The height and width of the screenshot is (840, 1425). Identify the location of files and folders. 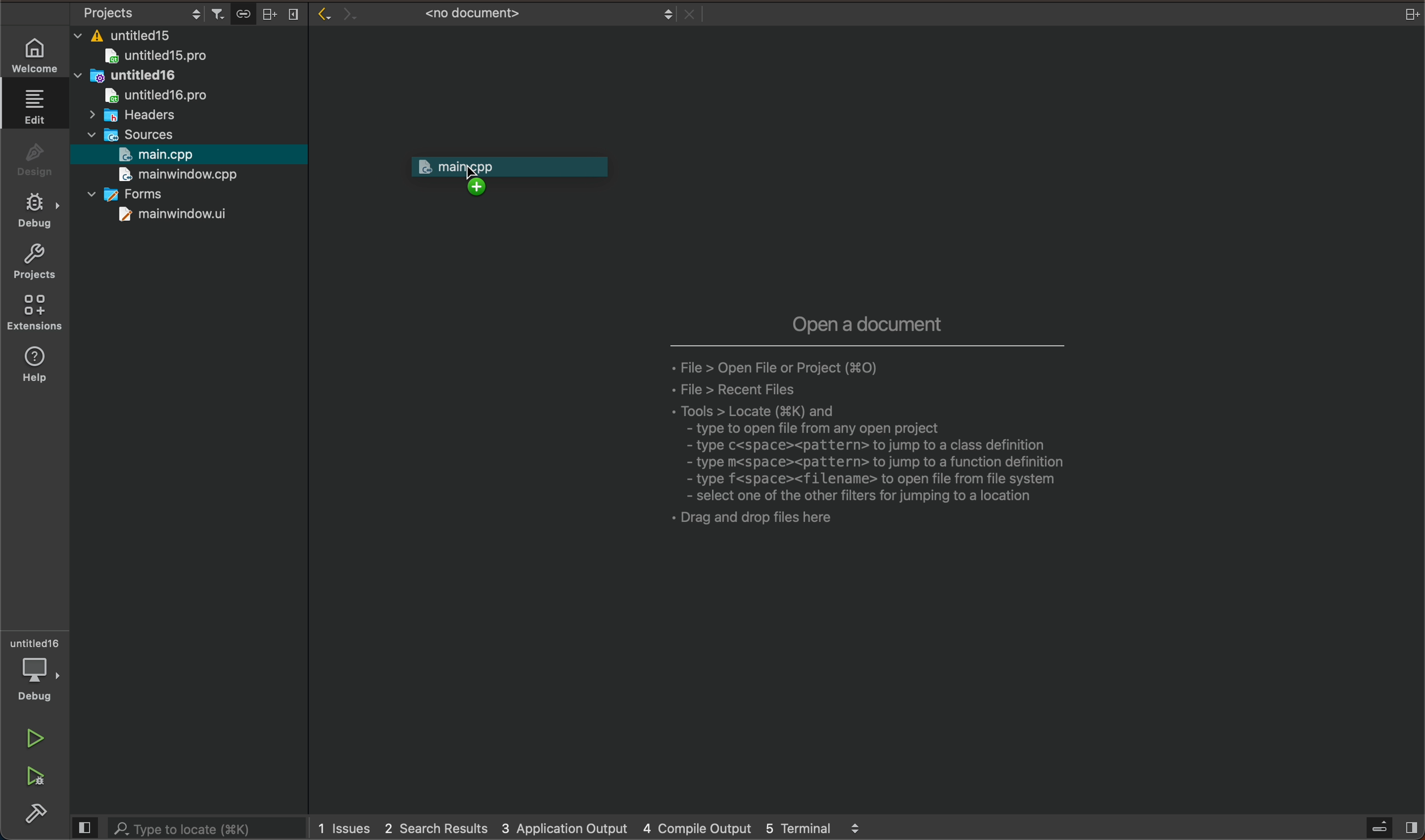
(187, 37).